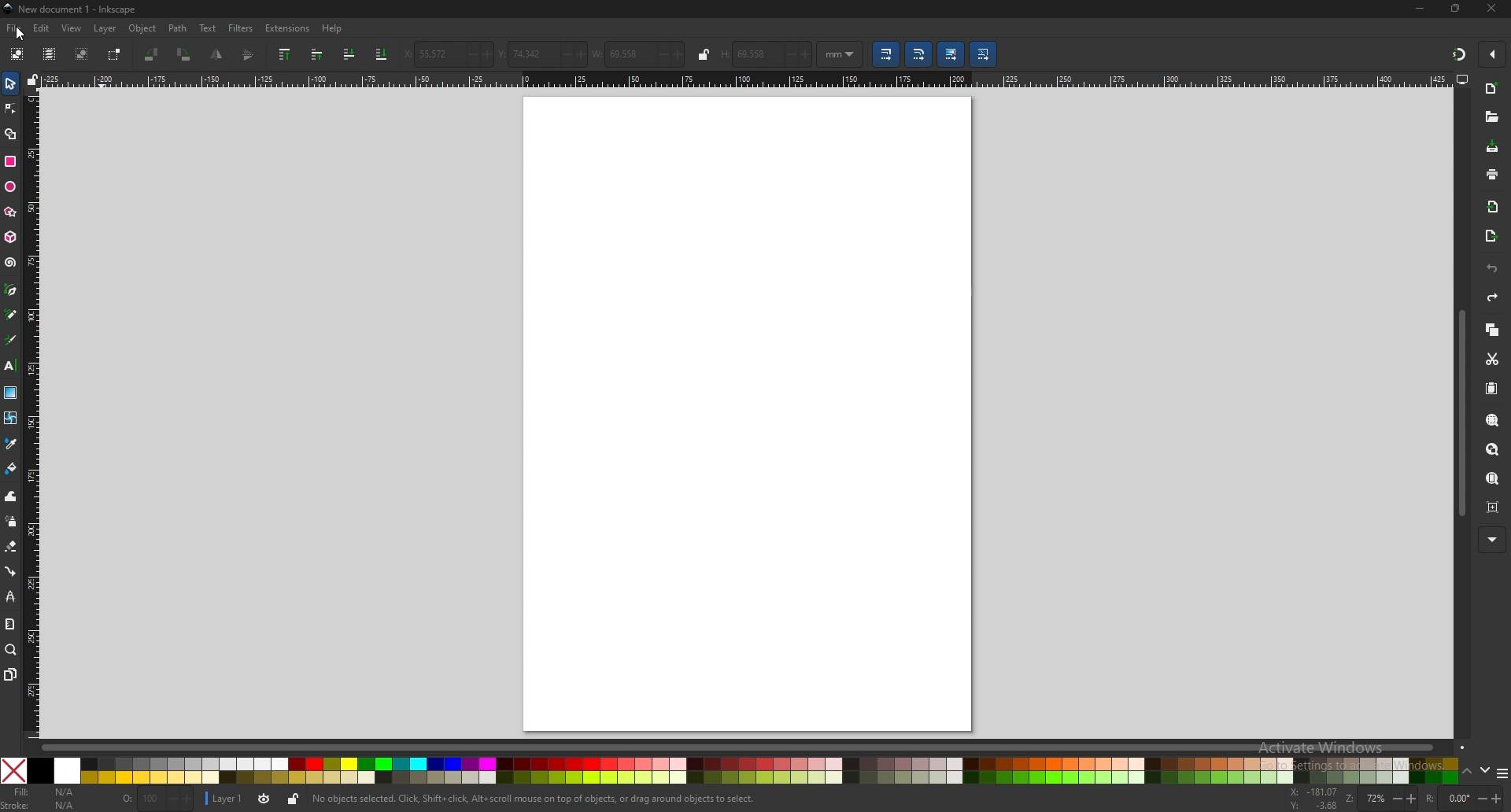 The image size is (1511, 812). Describe the element at coordinates (142, 29) in the screenshot. I see `object` at that location.